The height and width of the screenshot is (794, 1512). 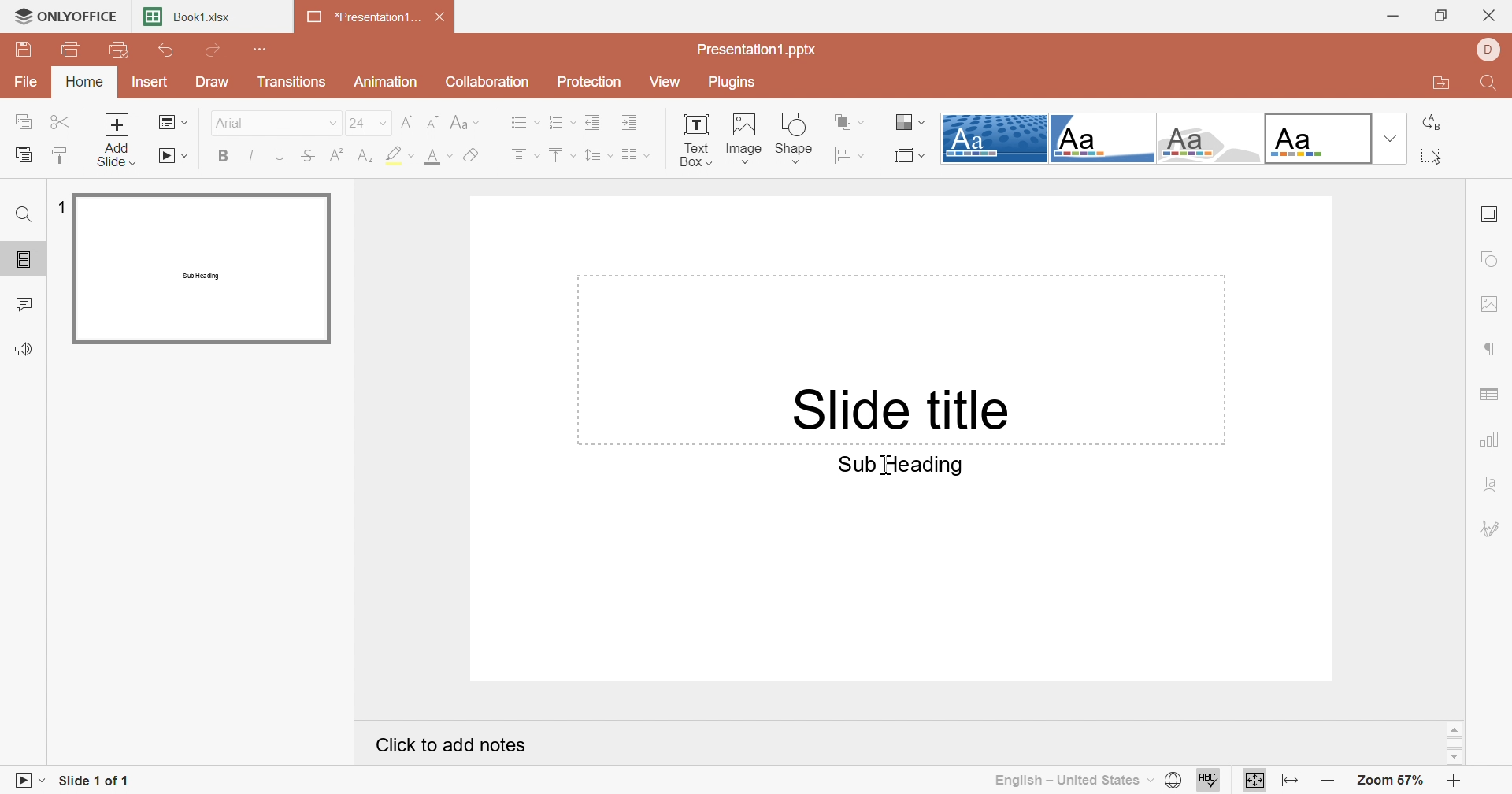 I want to click on Print, so click(x=72, y=49).